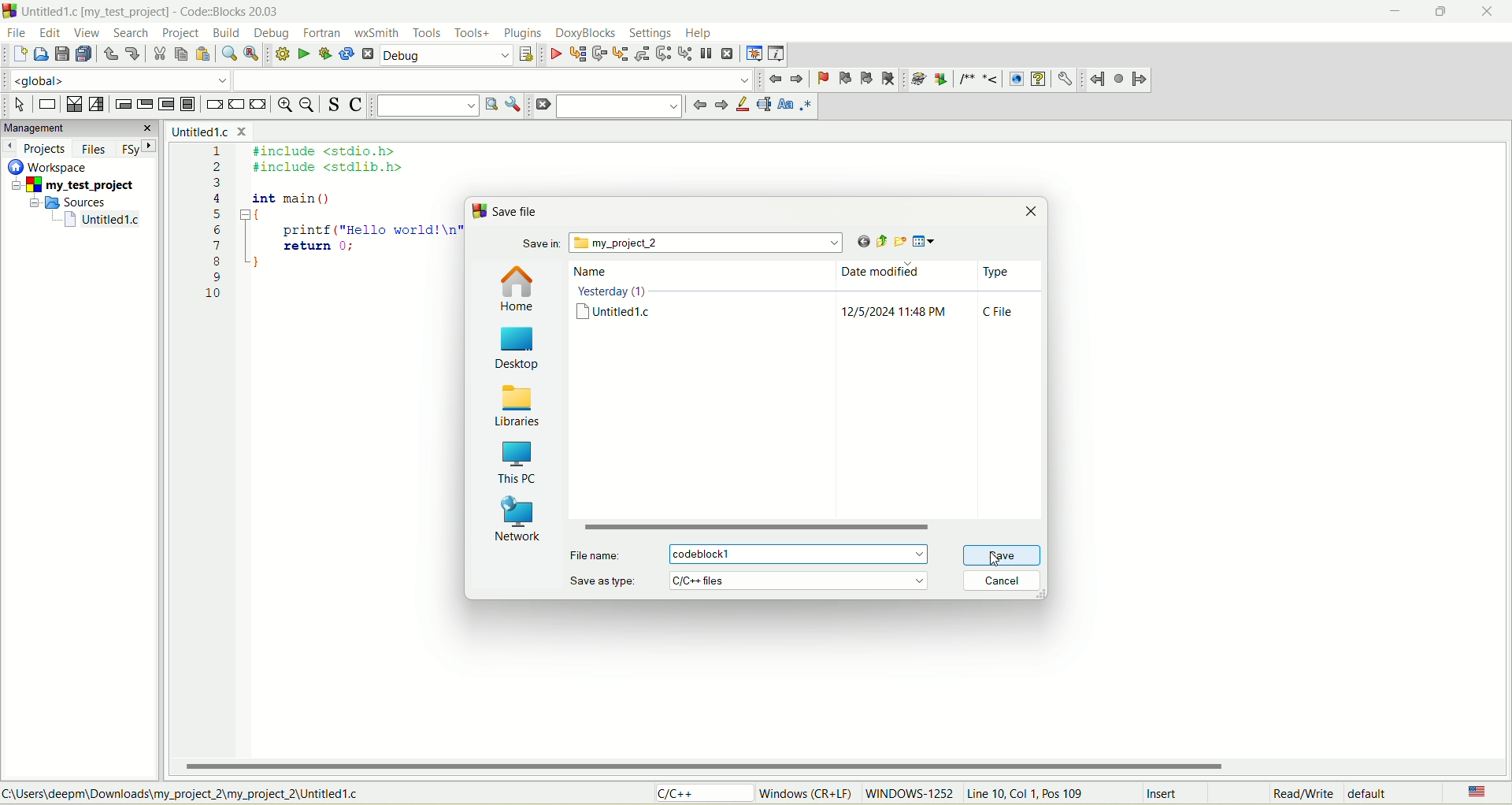  What do you see at coordinates (369, 57) in the screenshot?
I see `abort` at bounding box center [369, 57].